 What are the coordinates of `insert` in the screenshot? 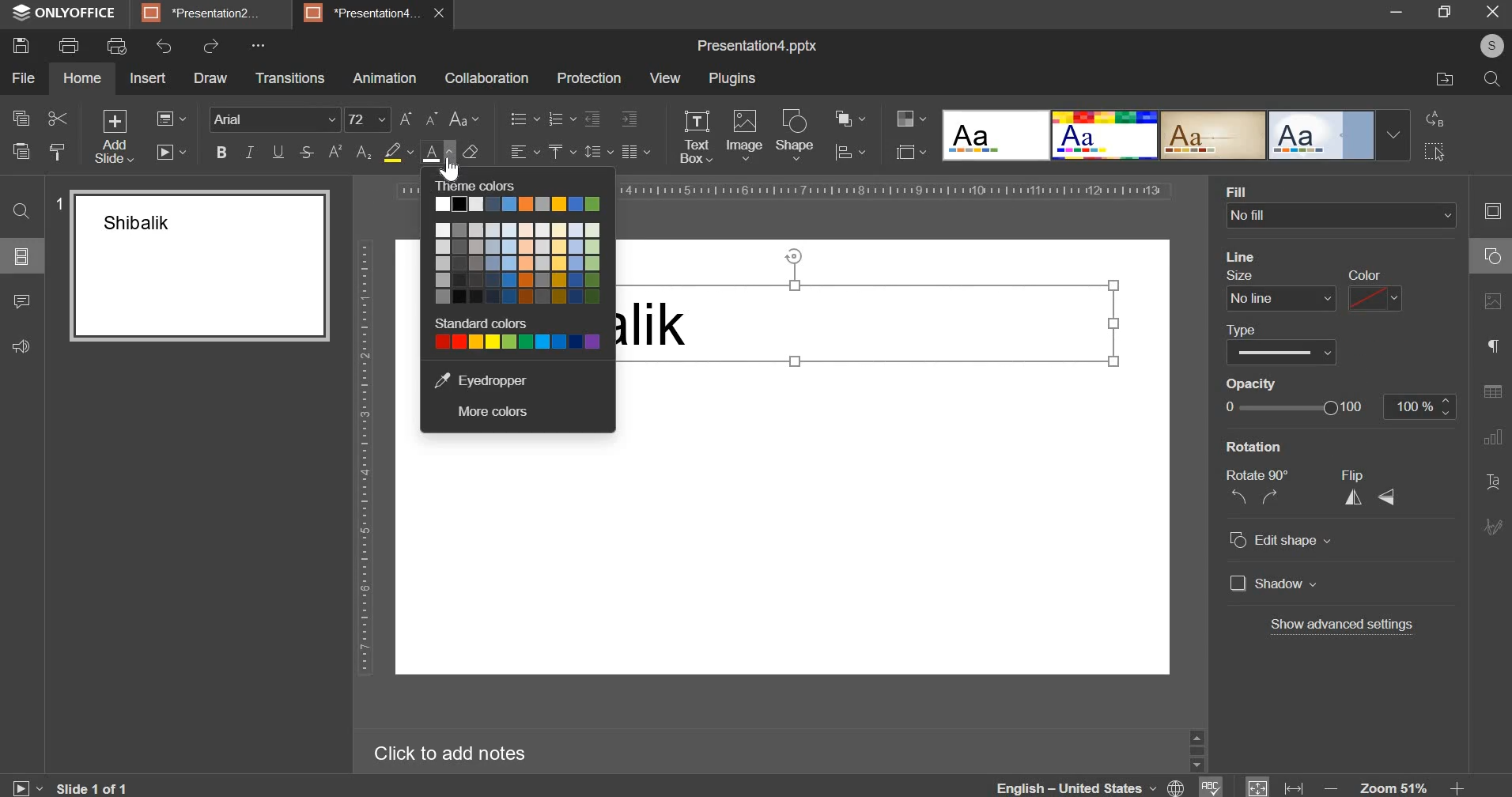 It's located at (149, 77).